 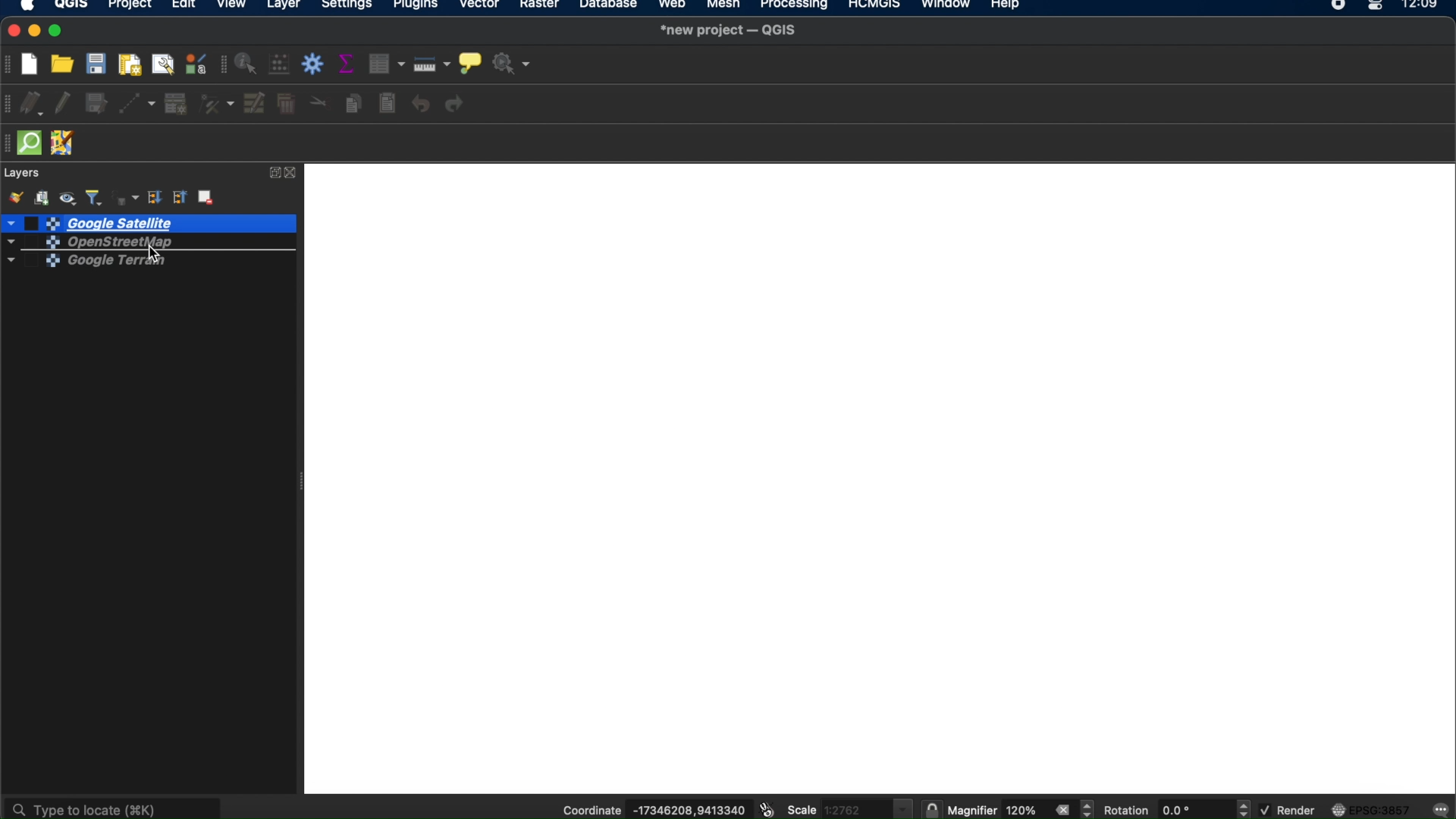 I want to click on manage map themes, so click(x=70, y=196).